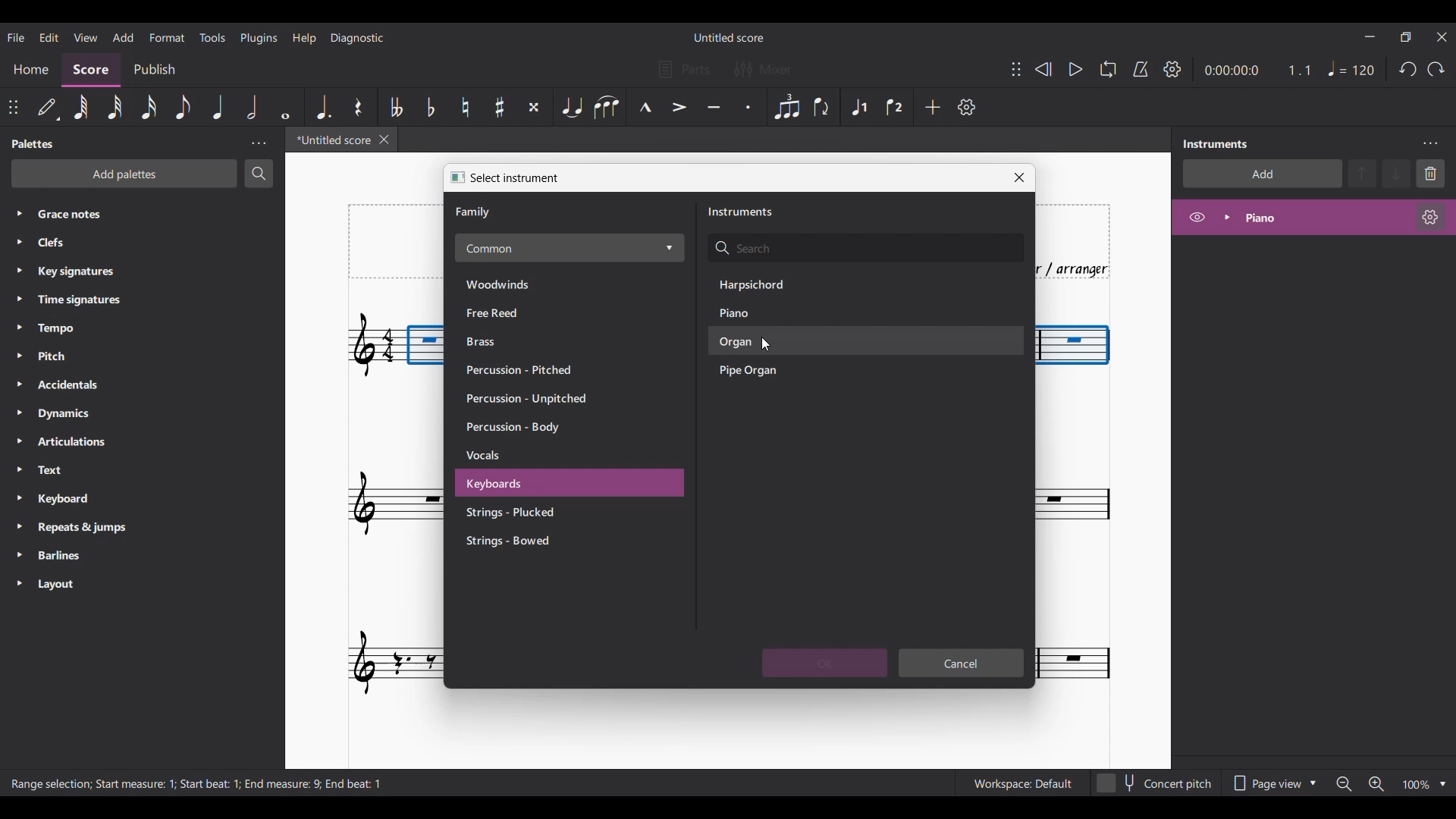 This screenshot has height=819, width=1456. I want to click on Edit menu, so click(48, 36).